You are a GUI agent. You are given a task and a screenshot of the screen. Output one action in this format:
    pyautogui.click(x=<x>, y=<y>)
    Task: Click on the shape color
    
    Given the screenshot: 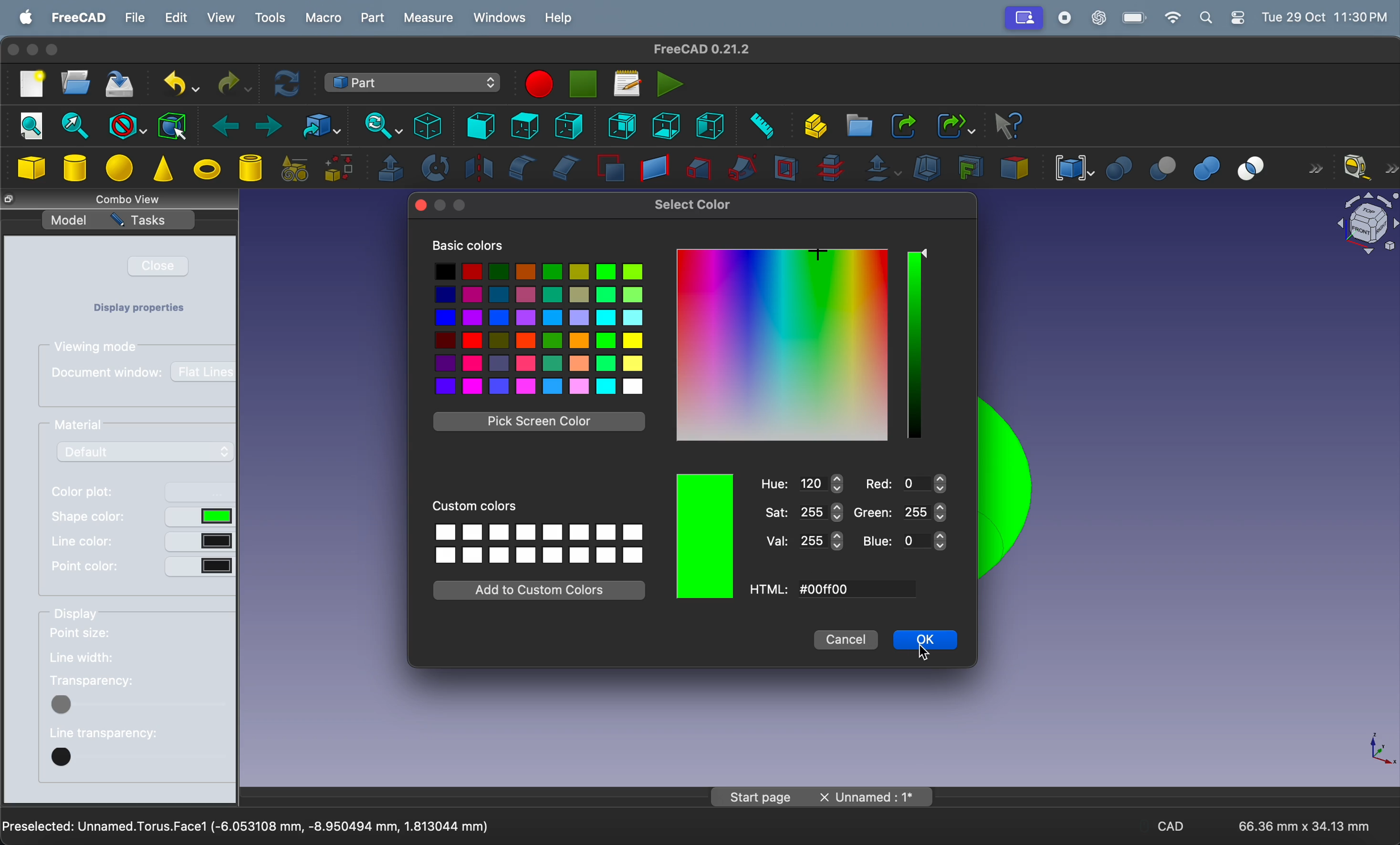 What is the action you would take?
    pyautogui.click(x=88, y=517)
    